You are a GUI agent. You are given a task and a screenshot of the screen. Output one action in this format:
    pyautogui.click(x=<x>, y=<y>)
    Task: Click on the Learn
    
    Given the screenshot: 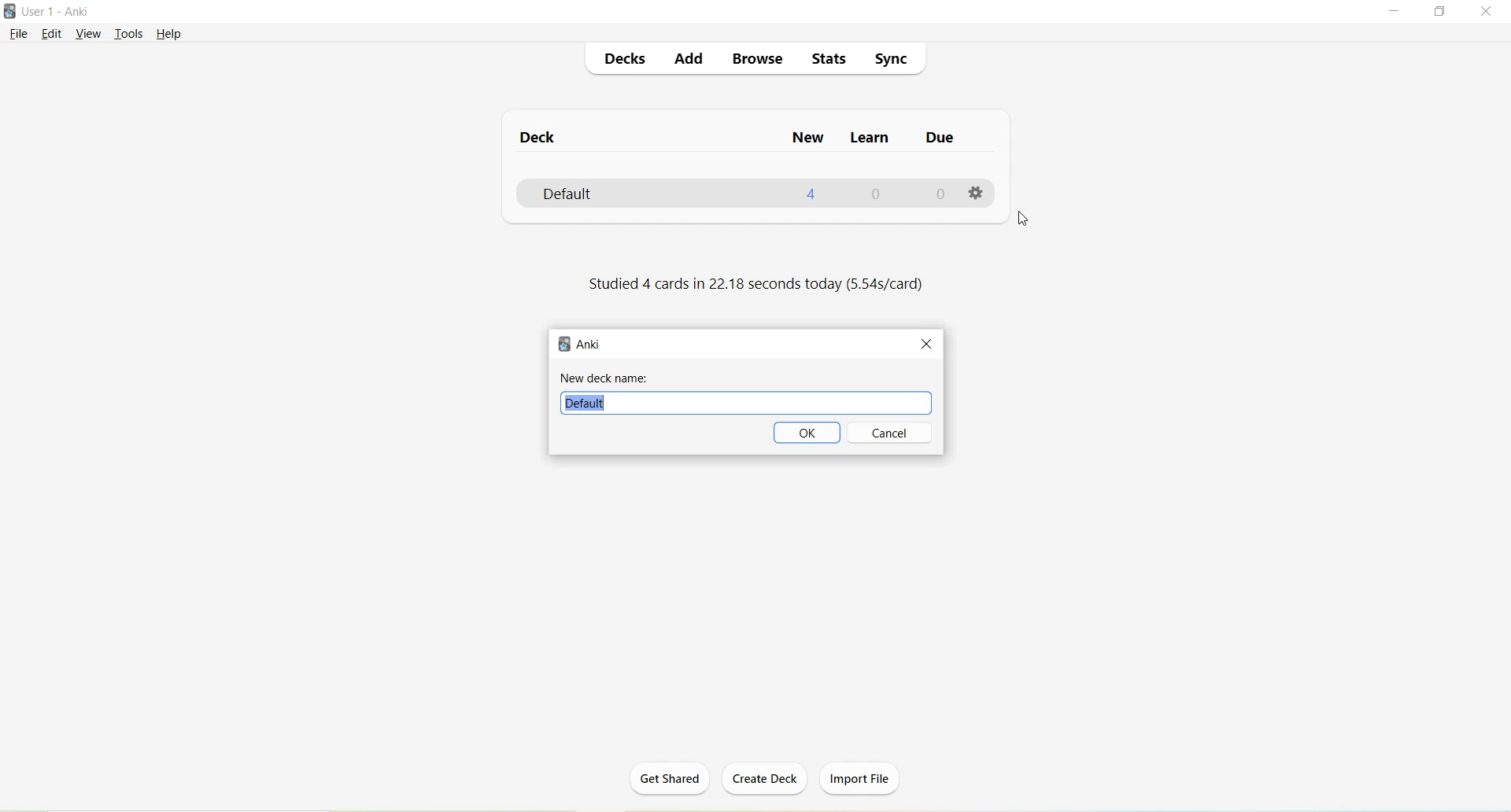 What is the action you would take?
    pyautogui.click(x=866, y=139)
    